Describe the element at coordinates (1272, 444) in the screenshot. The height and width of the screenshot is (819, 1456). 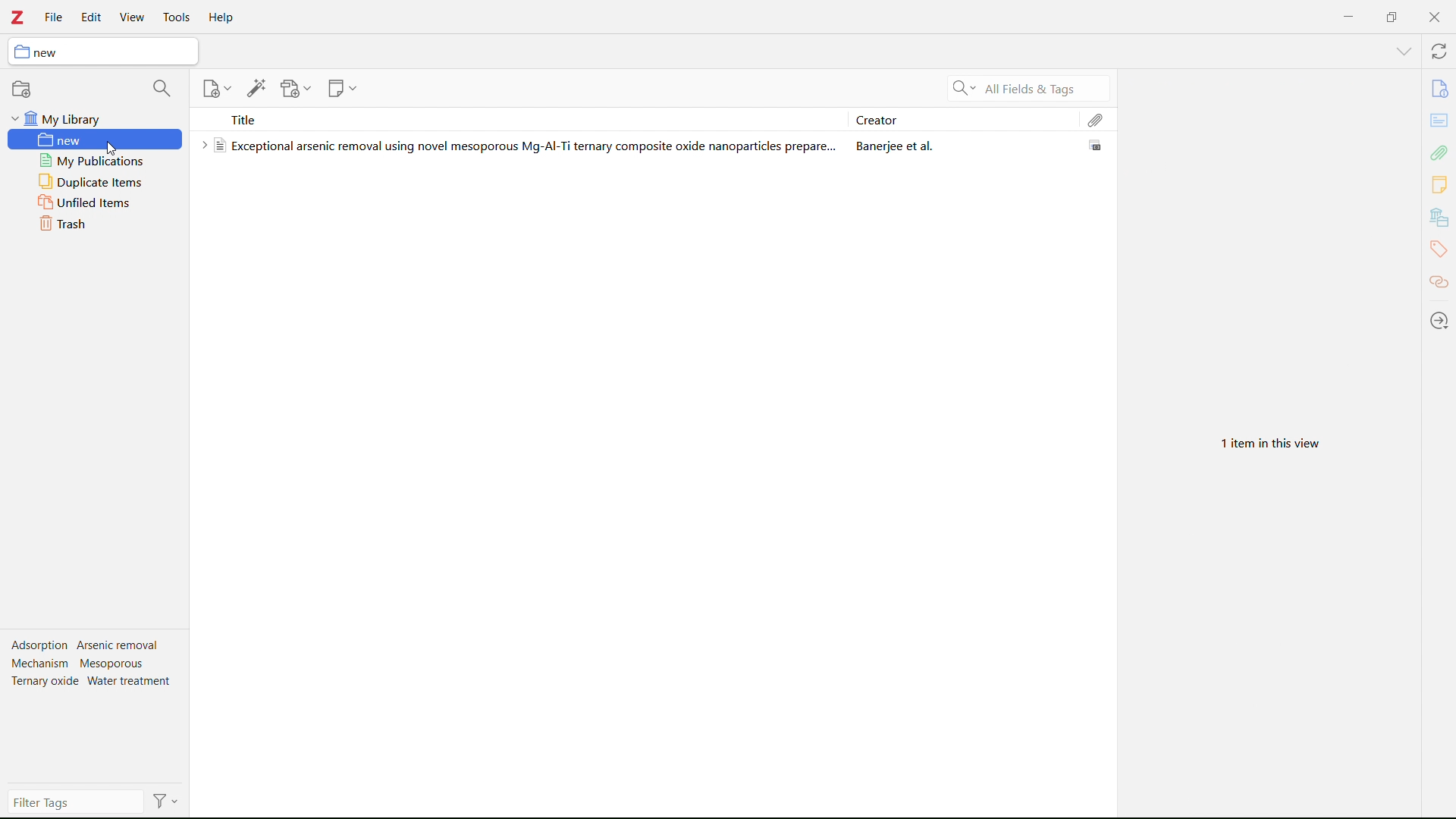
I see `2 items in the view` at that location.